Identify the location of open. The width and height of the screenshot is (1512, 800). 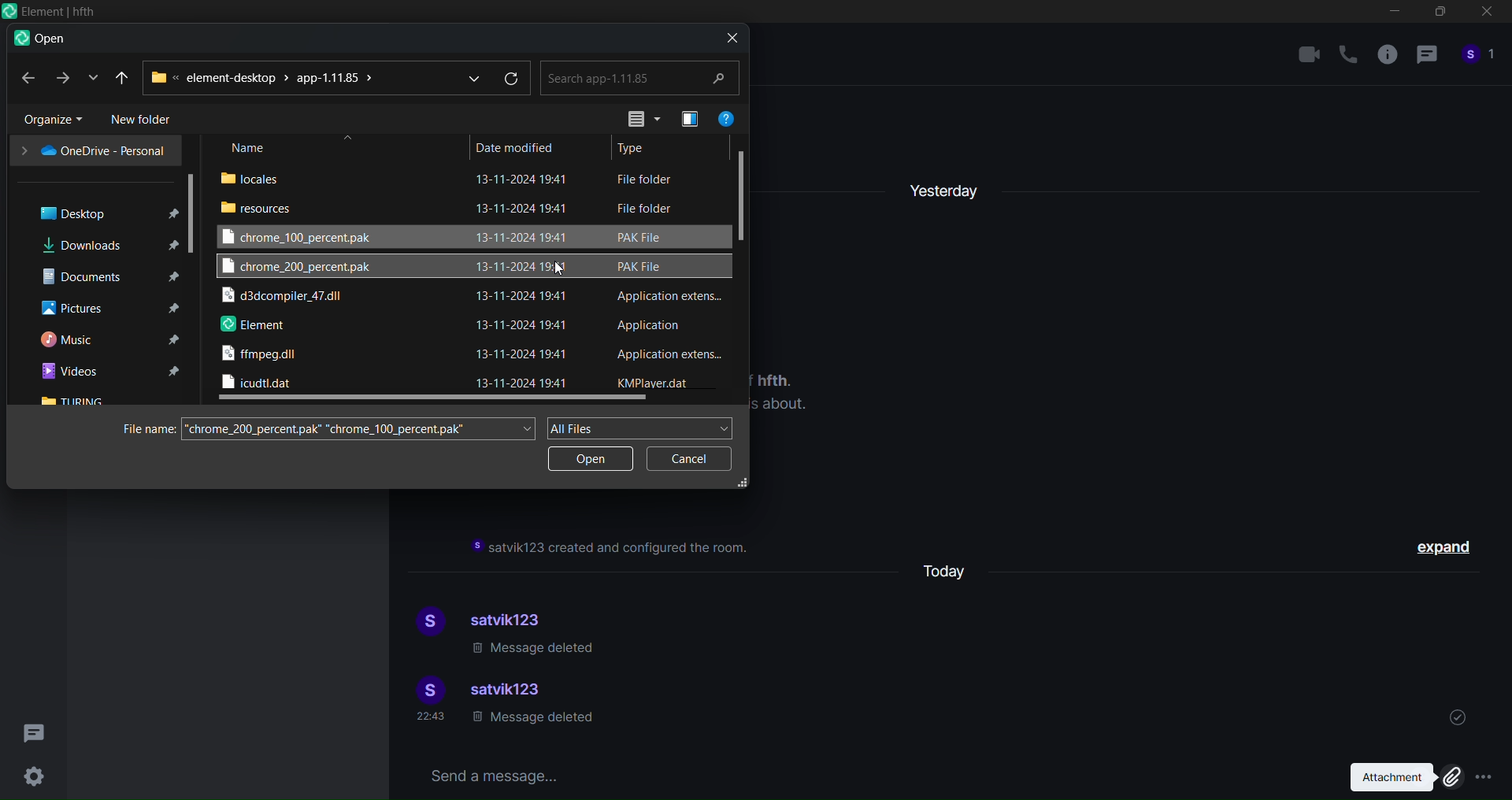
(39, 39).